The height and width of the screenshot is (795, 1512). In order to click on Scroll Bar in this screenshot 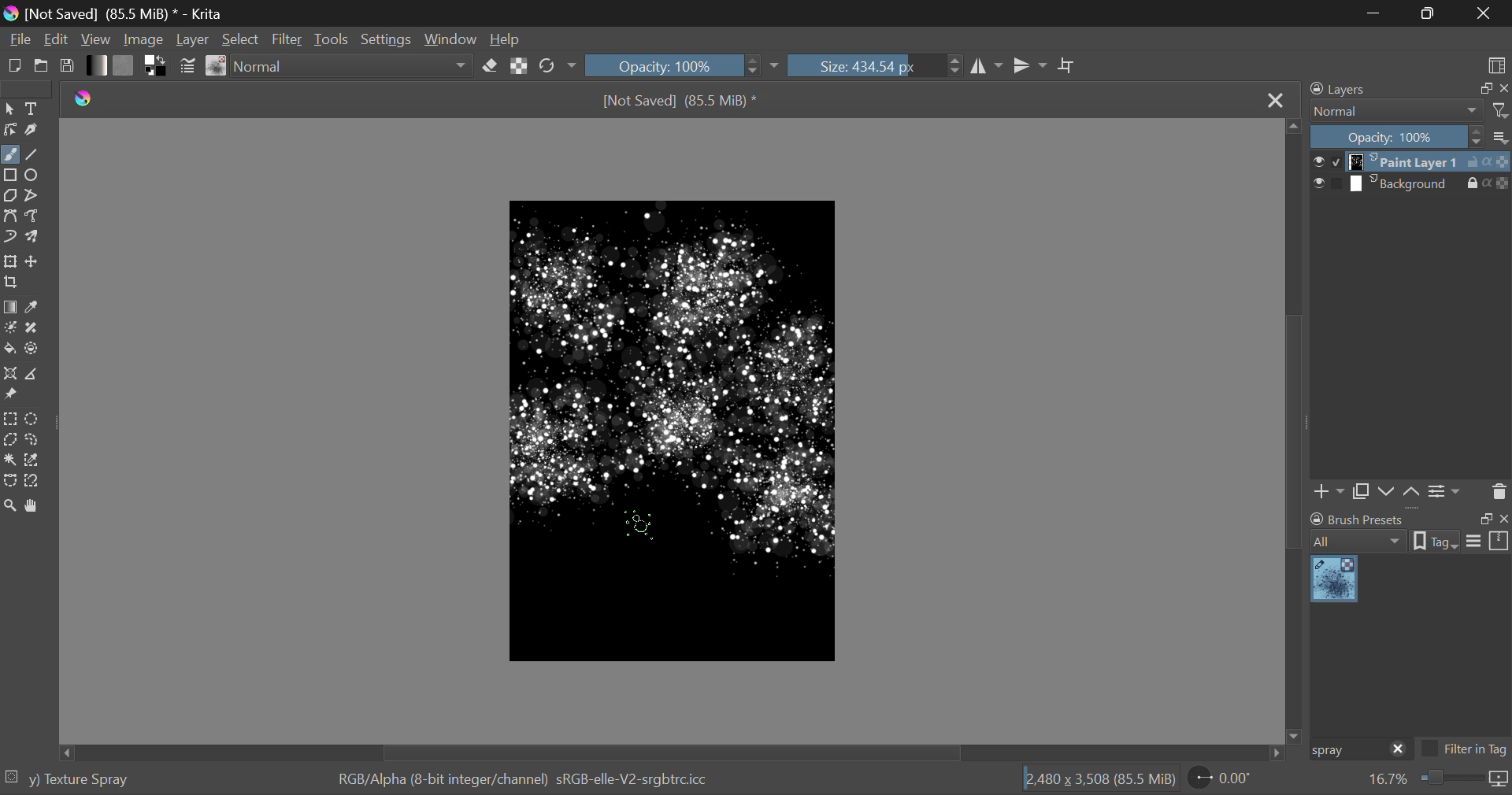, I will do `click(676, 752)`.